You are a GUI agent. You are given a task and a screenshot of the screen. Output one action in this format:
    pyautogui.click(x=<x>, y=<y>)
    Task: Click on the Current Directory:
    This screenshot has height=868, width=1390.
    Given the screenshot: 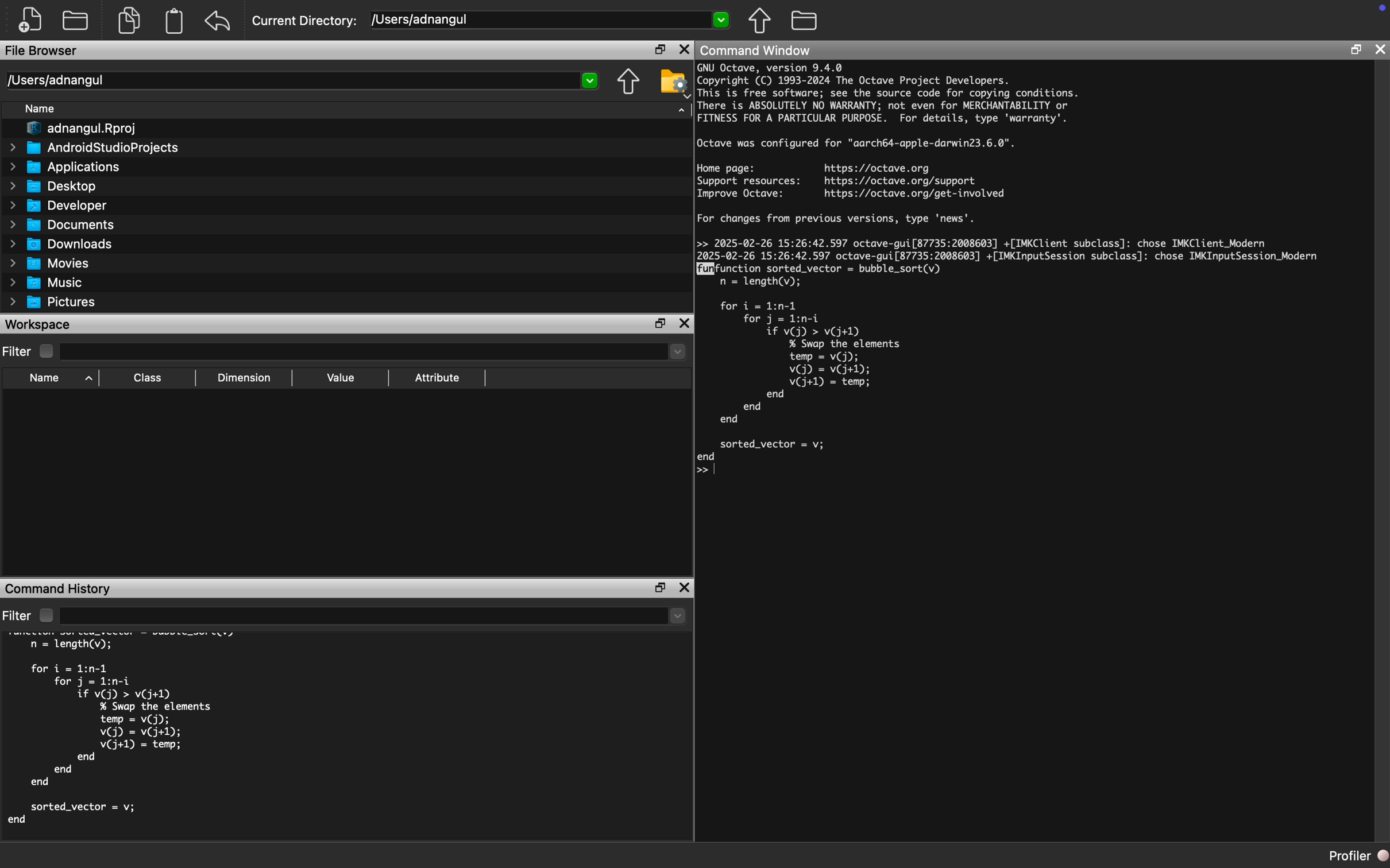 What is the action you would take?
    pyautogui.click(x=307, y=21)
    